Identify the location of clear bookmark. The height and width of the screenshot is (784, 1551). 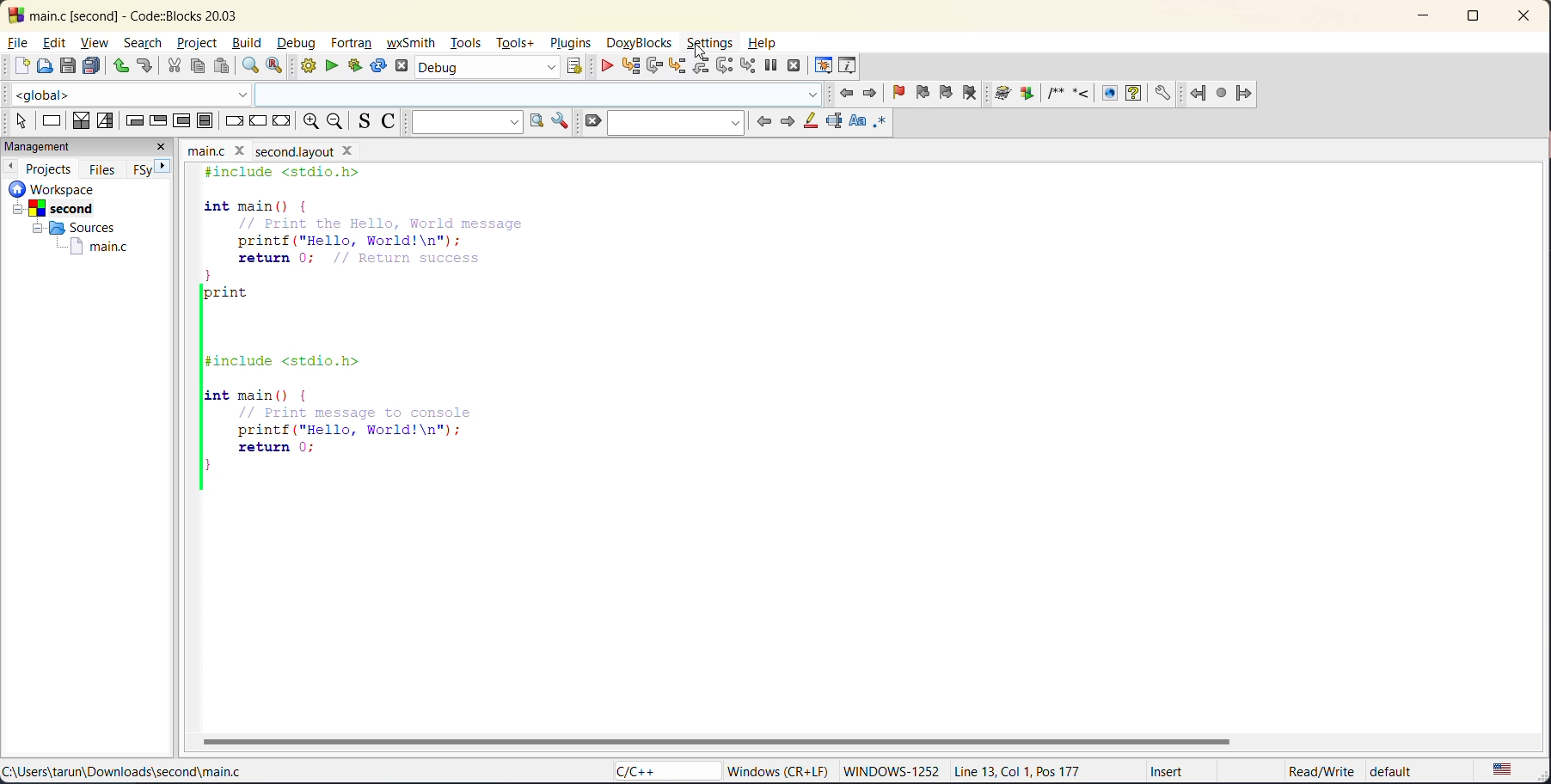
(977, 95).